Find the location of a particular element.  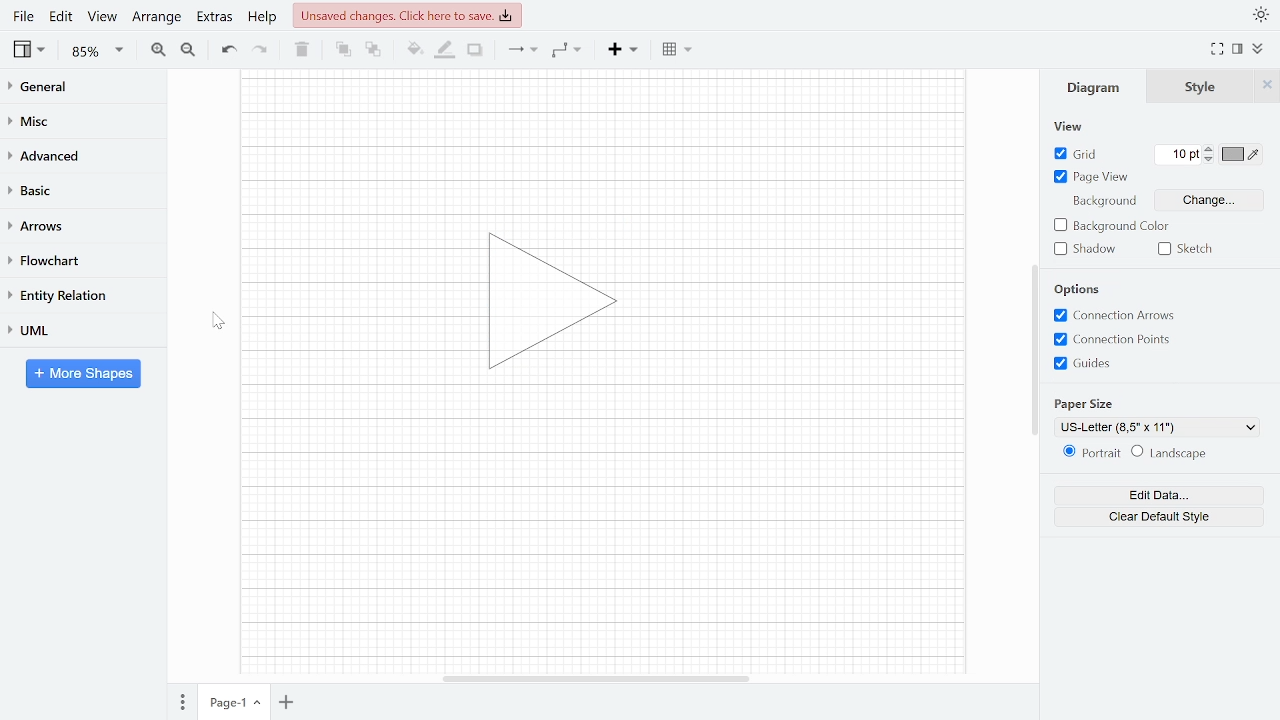

Triangle is located at coordinates (563, 307).